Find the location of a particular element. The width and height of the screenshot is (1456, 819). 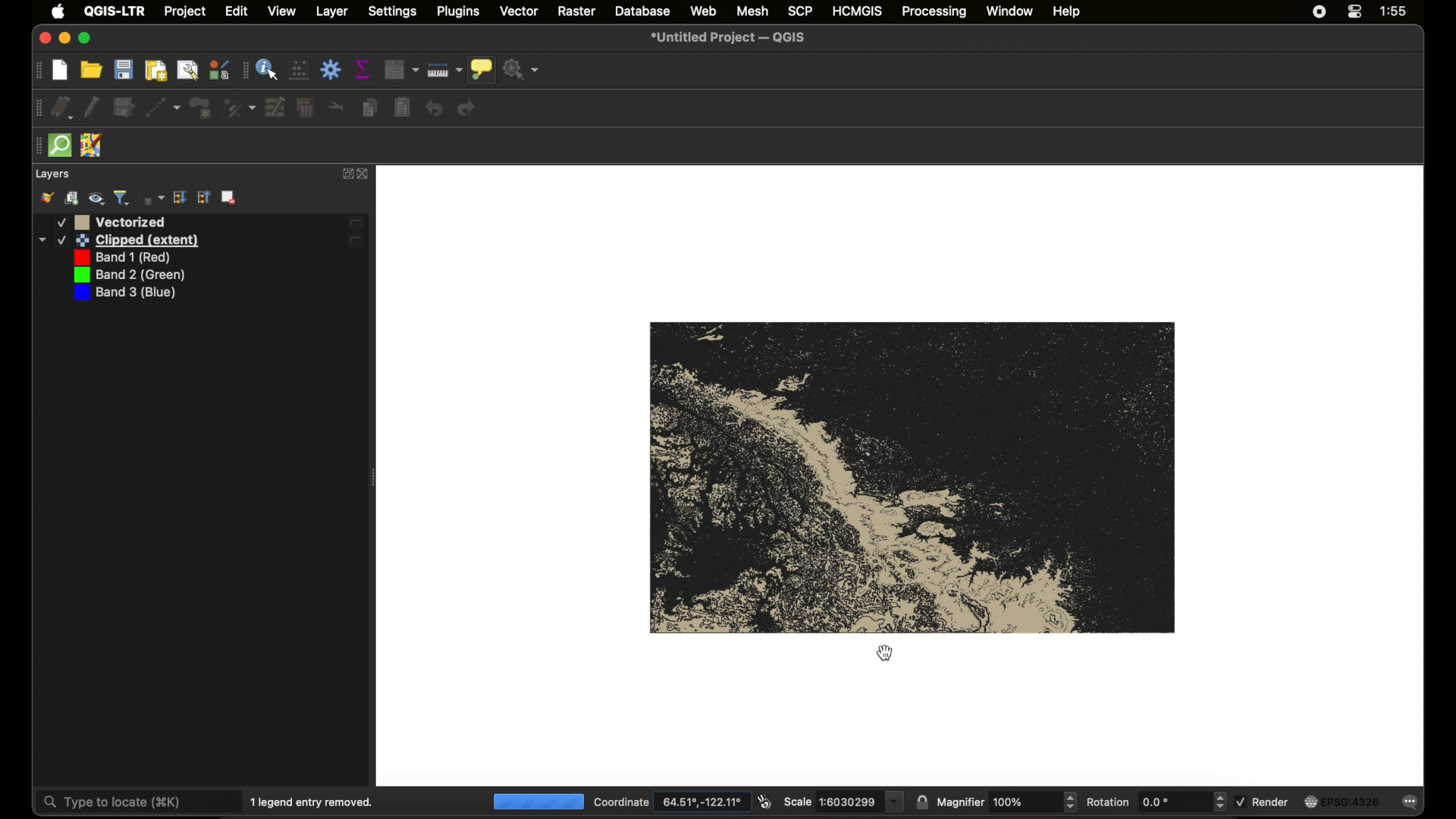

current edits is located at coordinates (63, 108).